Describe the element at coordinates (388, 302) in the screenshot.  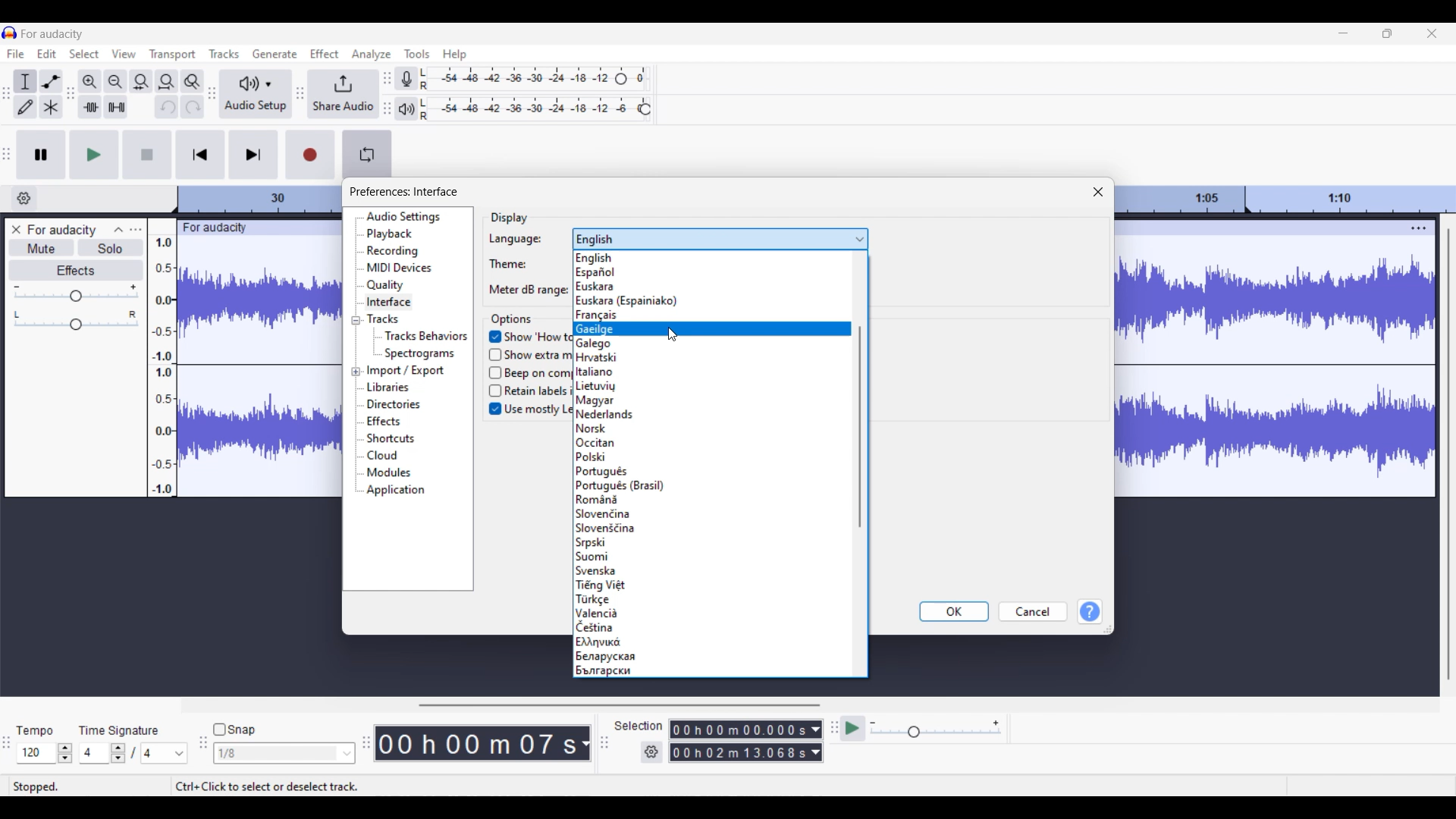
I see `Interface, current selection highlighted` at that location.